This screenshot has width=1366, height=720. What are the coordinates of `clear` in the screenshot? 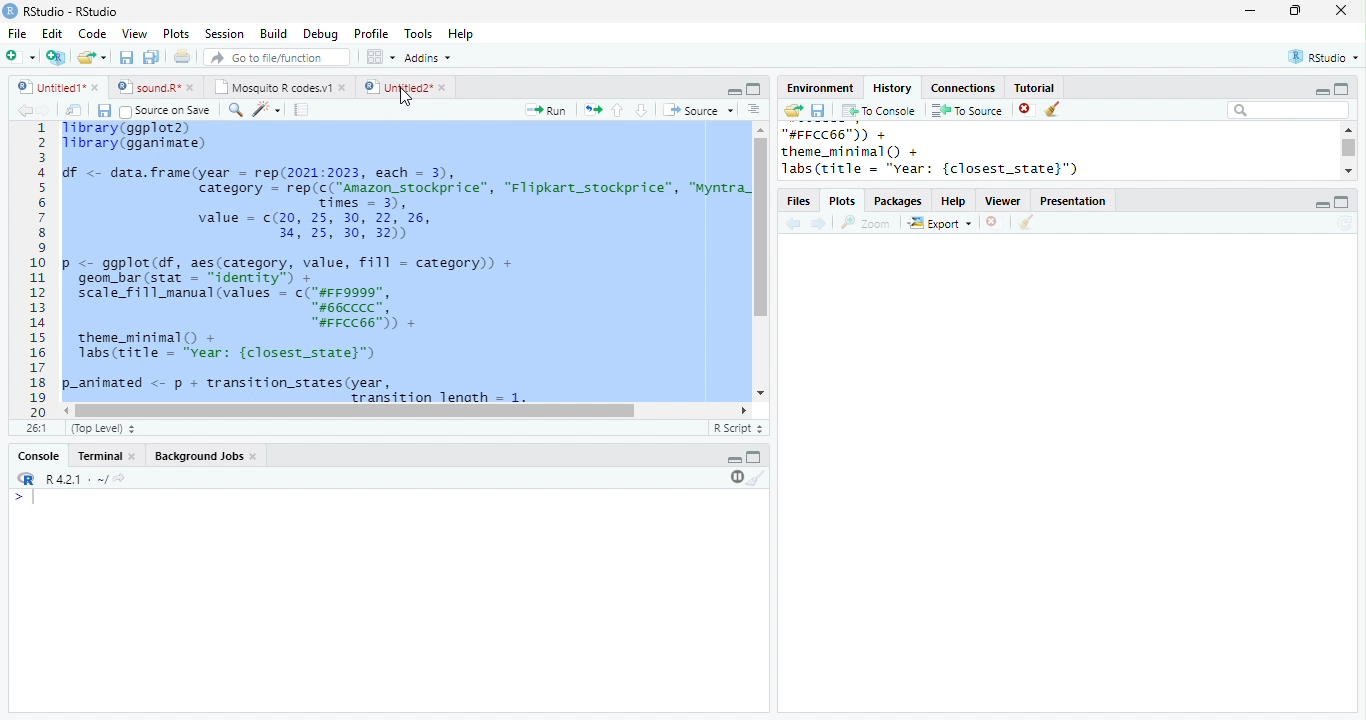 It's located at (1027, 222).